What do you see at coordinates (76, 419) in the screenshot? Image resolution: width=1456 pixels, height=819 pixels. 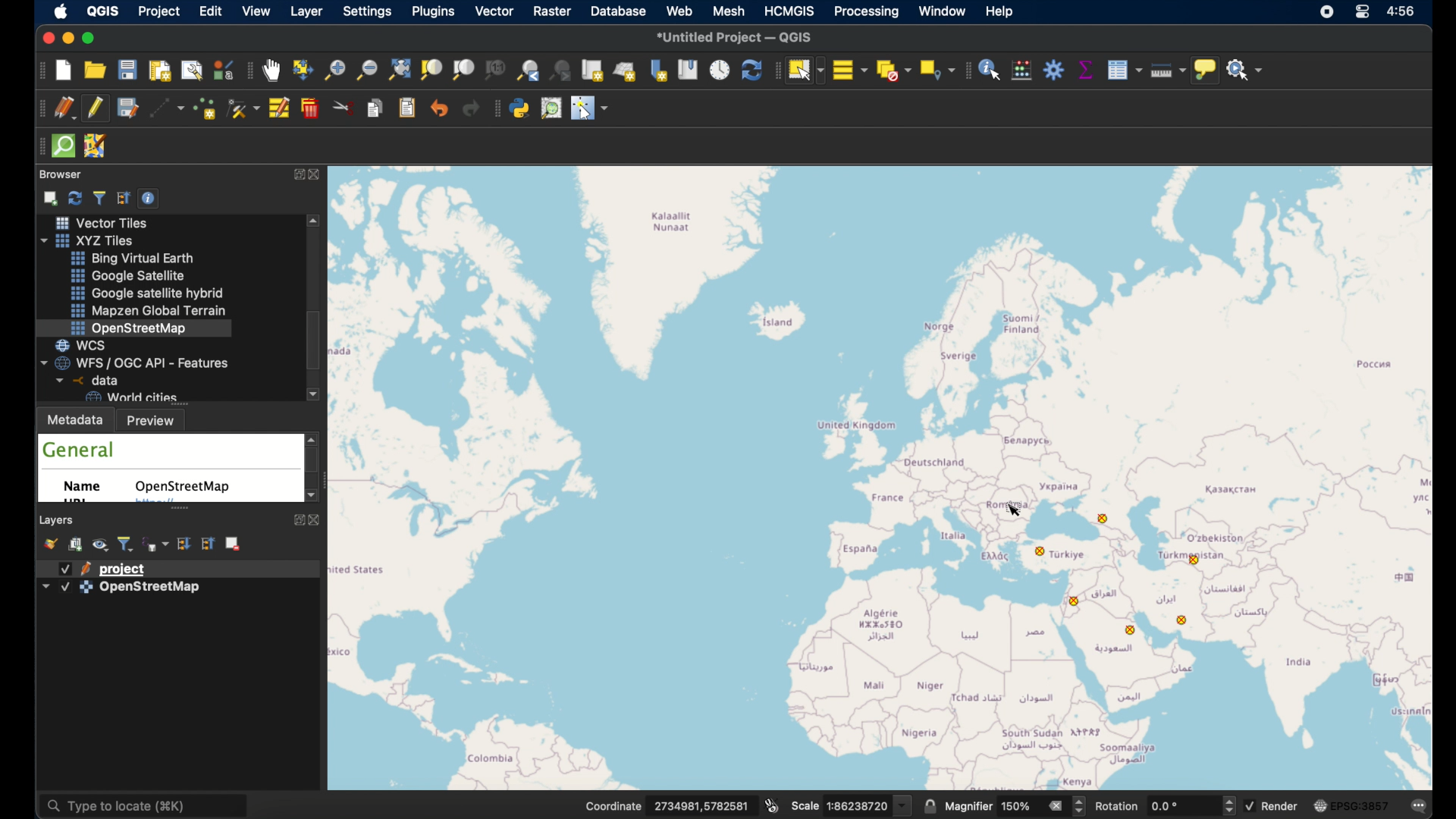 I see `metadata` at bounding box center [76, 419].